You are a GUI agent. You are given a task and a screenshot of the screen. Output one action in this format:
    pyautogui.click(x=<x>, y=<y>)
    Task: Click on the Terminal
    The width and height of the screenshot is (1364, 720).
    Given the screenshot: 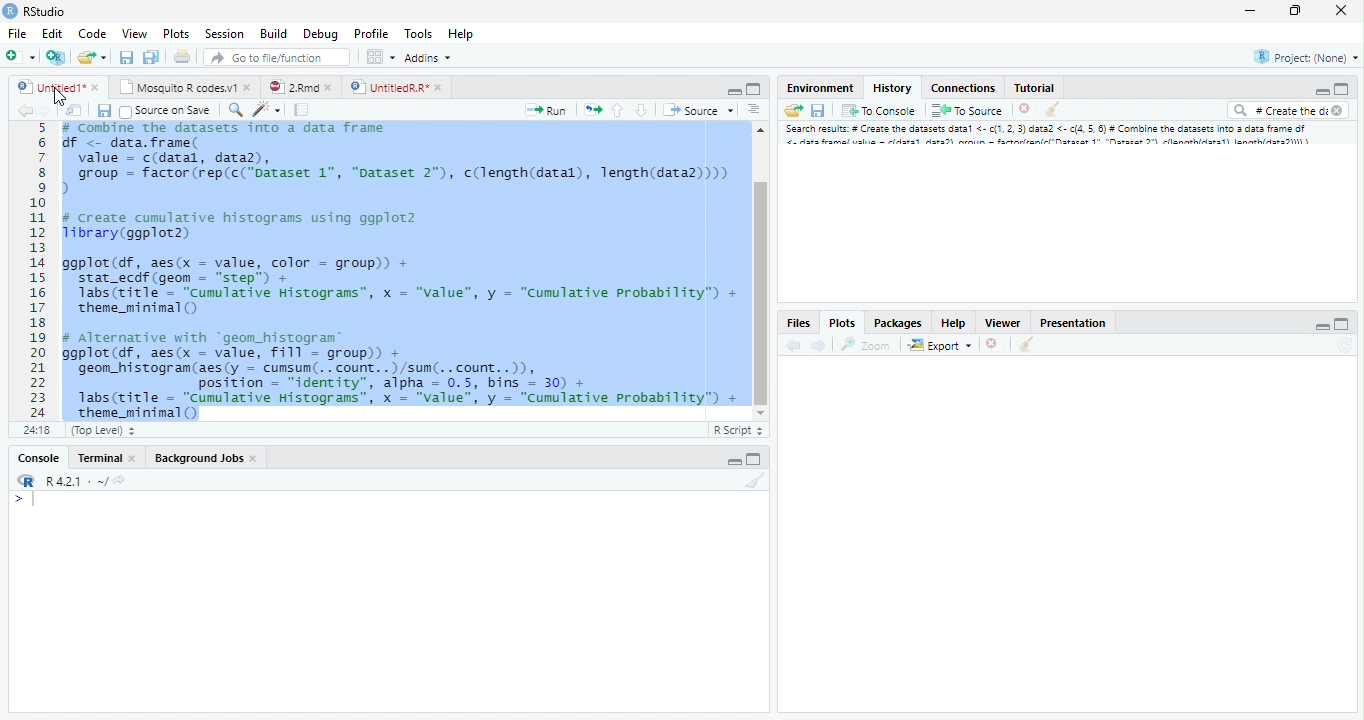 What is the action you would take?
    pyautogui.click(x=107, y=457)
    